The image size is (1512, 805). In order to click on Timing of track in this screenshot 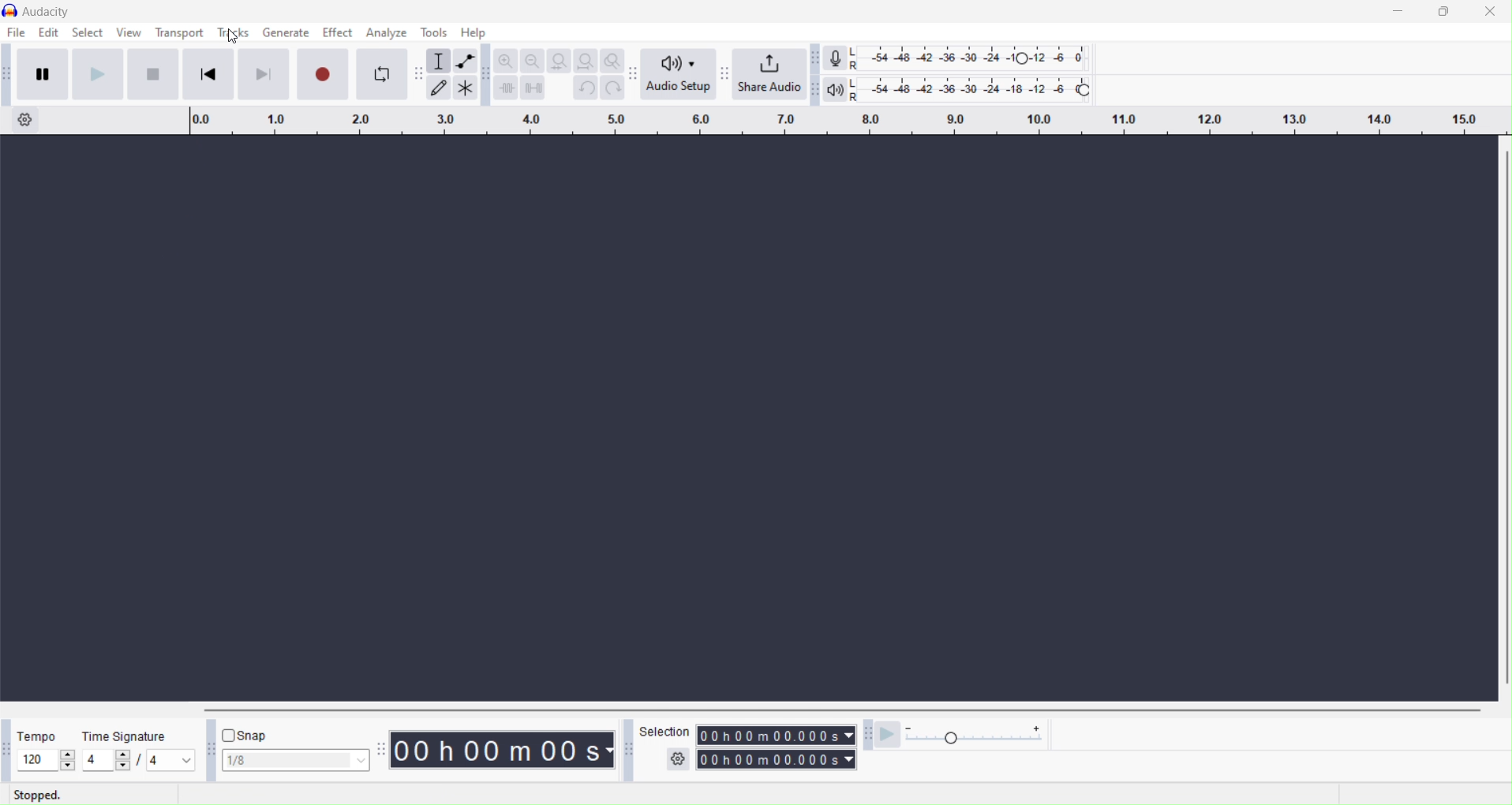, I will do `click(777, 758)`.